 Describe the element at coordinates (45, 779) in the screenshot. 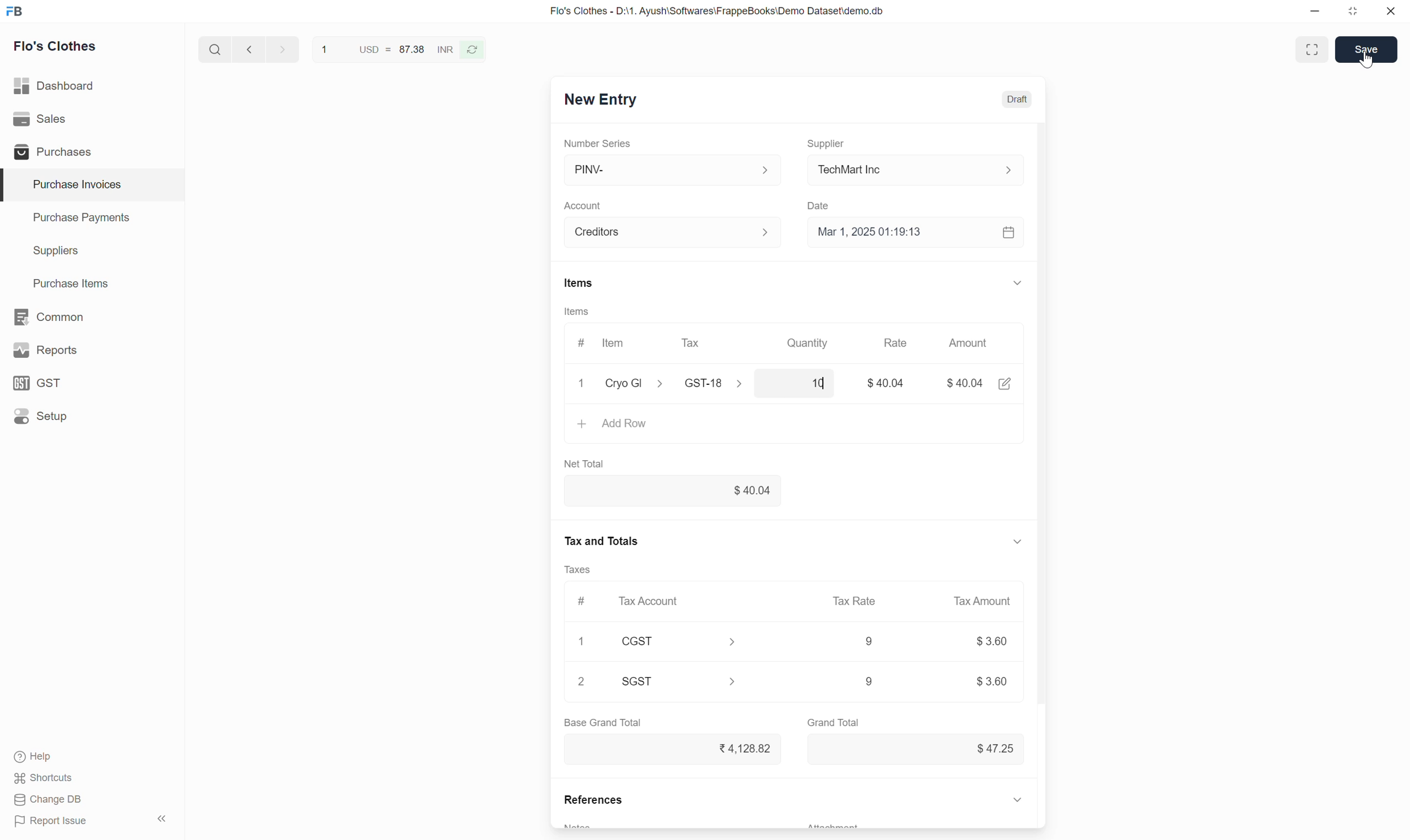

I see `Shortcuts` at that location.